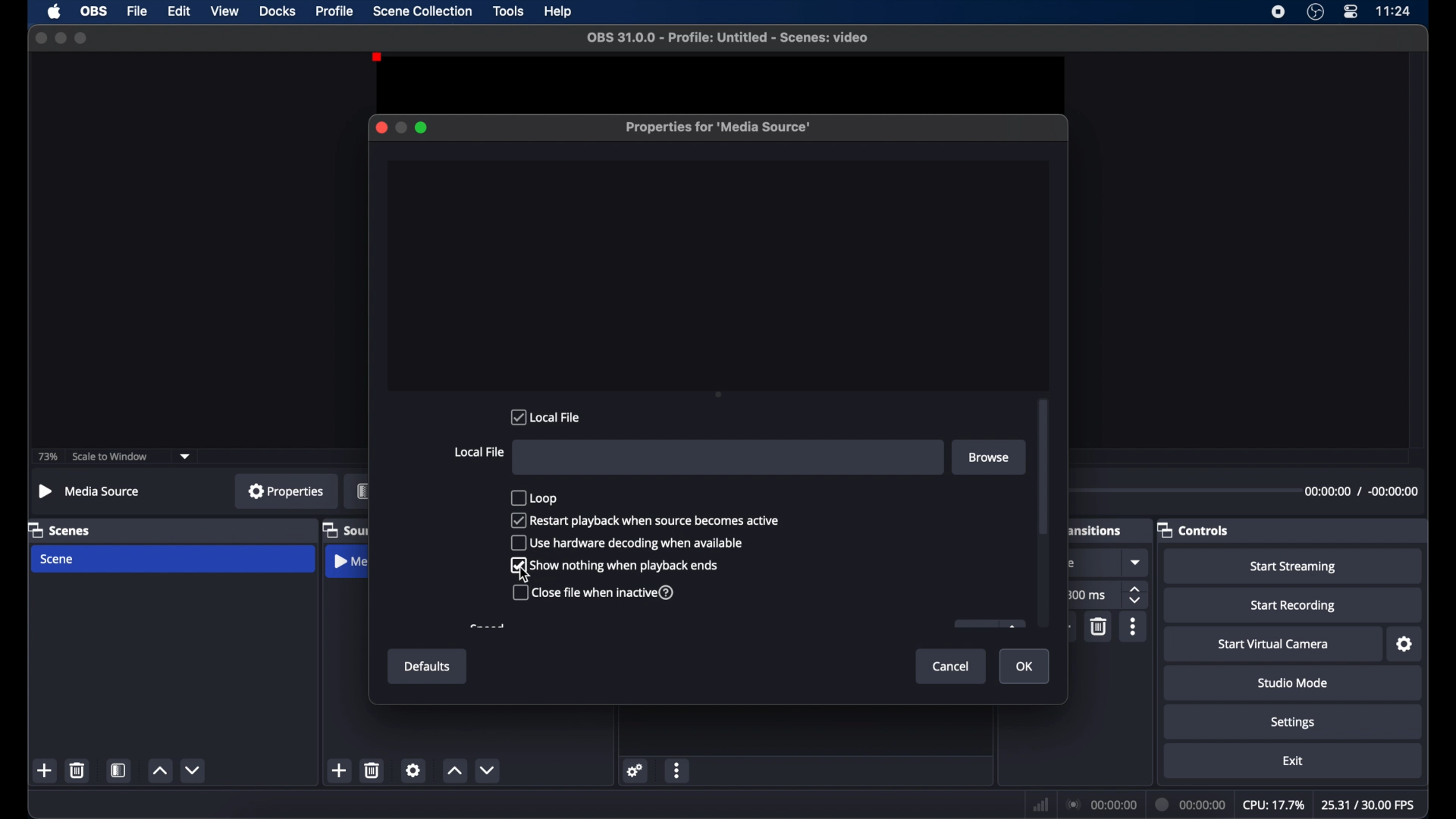  What do you see at coordinates (1100, 627) in the screenshot?
I see `delete` at bounding box center [1100, 627].